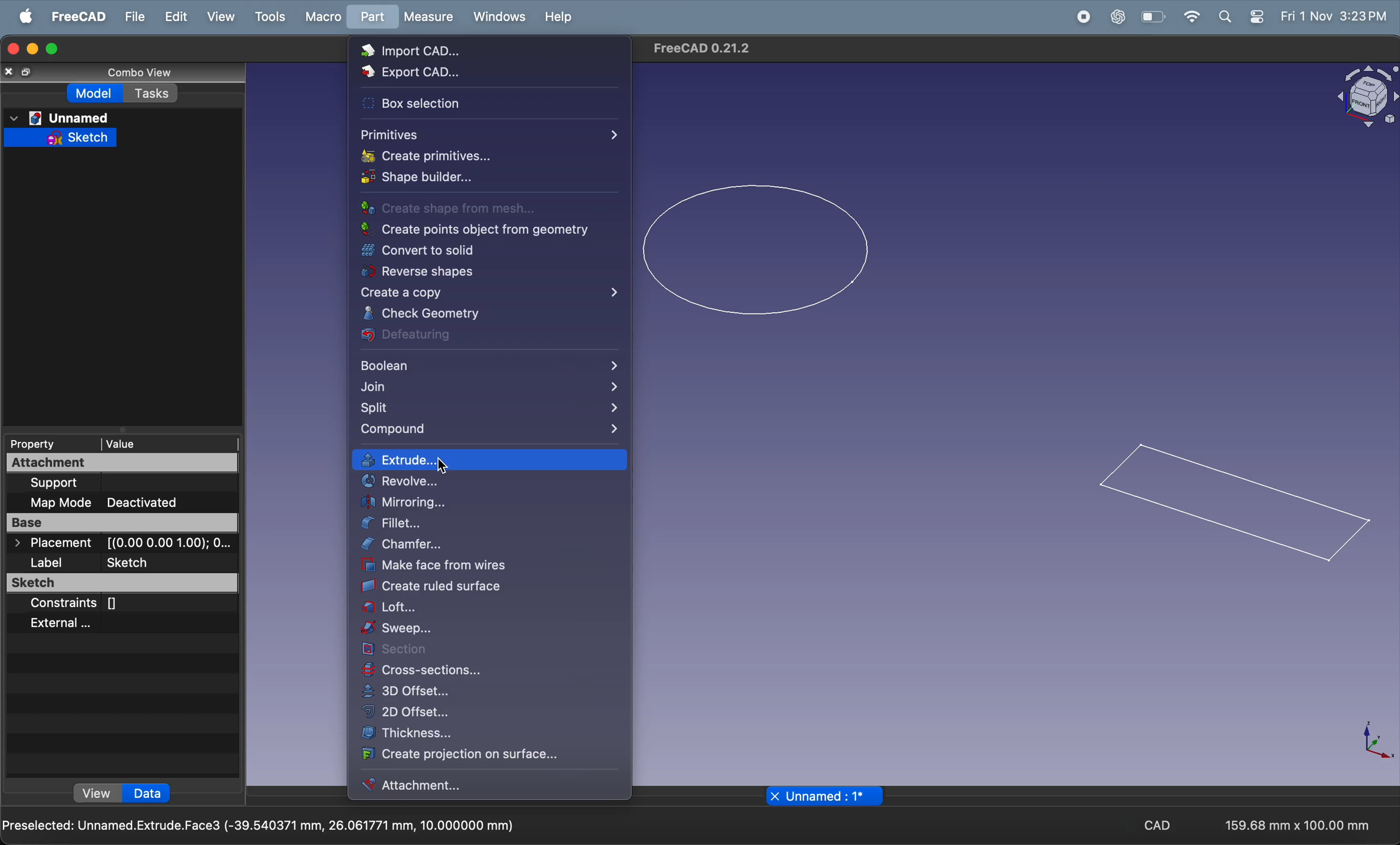 This screenshot has width=1400, height=845. I want to click on Fri 1 Nov  3:23 PM, so click(1332, 15).